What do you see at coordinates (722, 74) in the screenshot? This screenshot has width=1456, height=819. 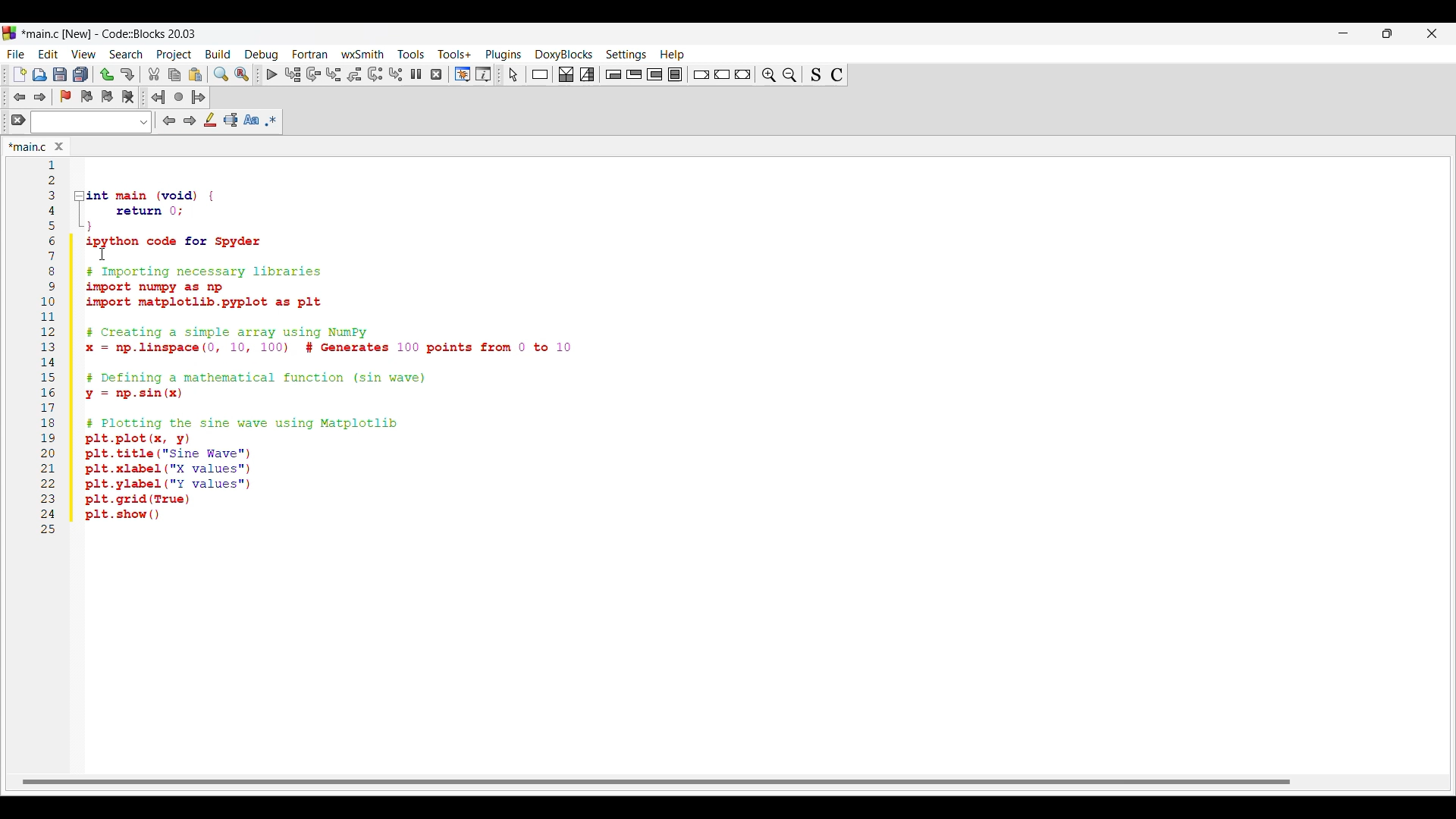 I see `Continue instruction` at bounding box center [722, 74].